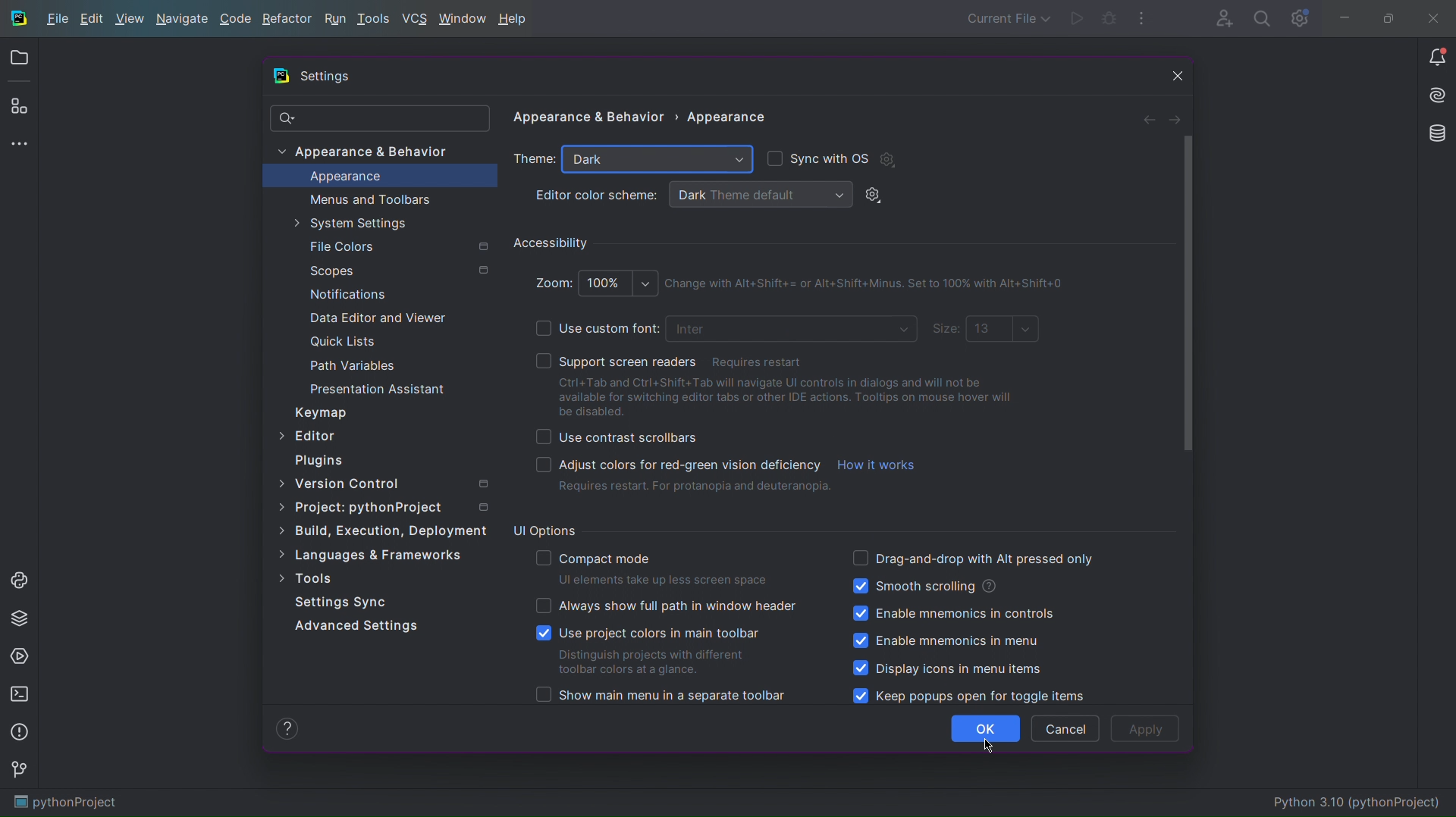  What do you see at coordinates (651, 649) in the screenshot?
I see `Use project colors in main toolbar` at bounding box center [651, 649].